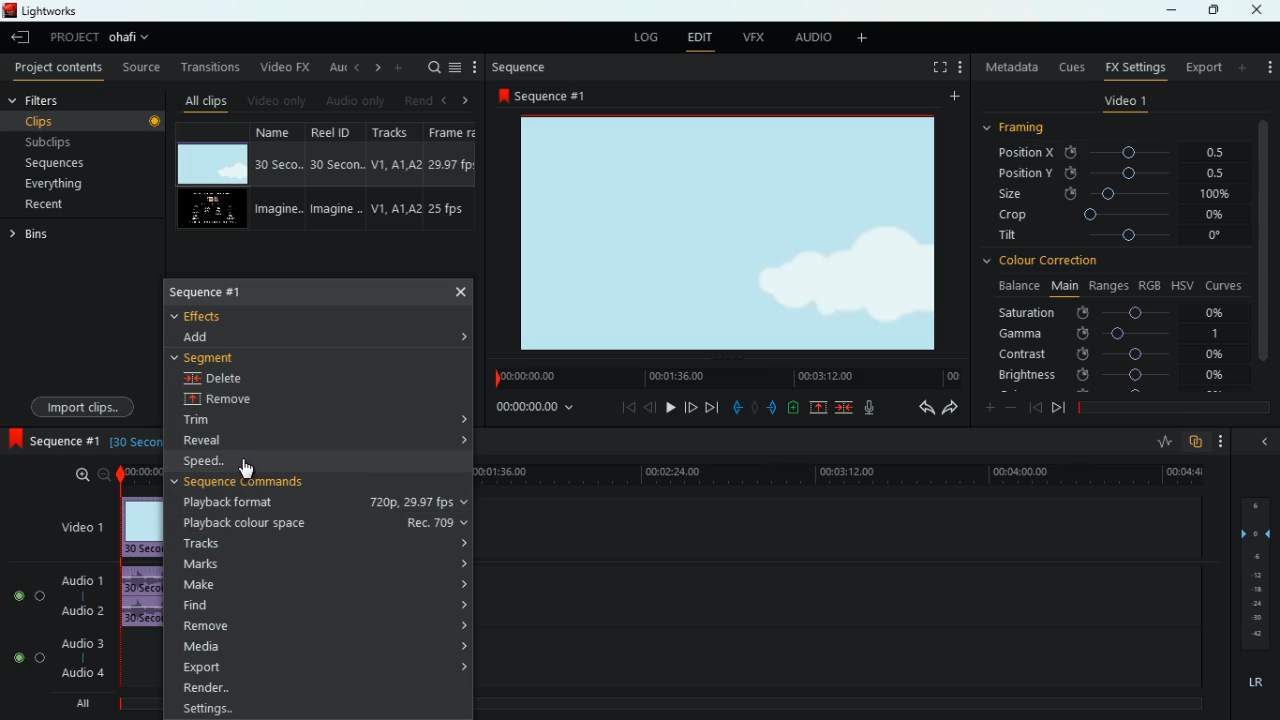  Describe the element at coordinates (137, 442) in the screenshot. I see `time` at that location.